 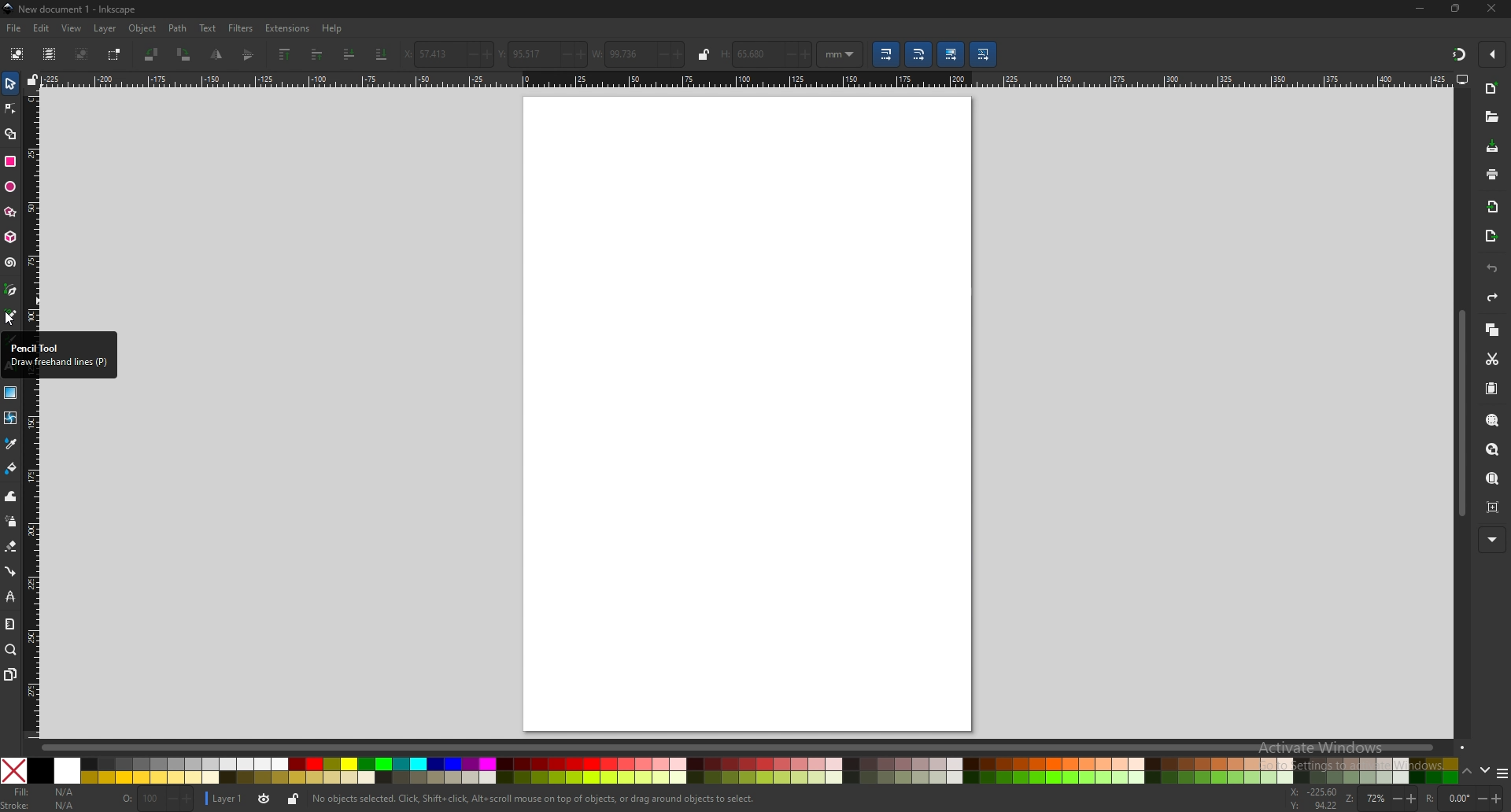 I want to click on more colors, so click(x=1502, y=773).